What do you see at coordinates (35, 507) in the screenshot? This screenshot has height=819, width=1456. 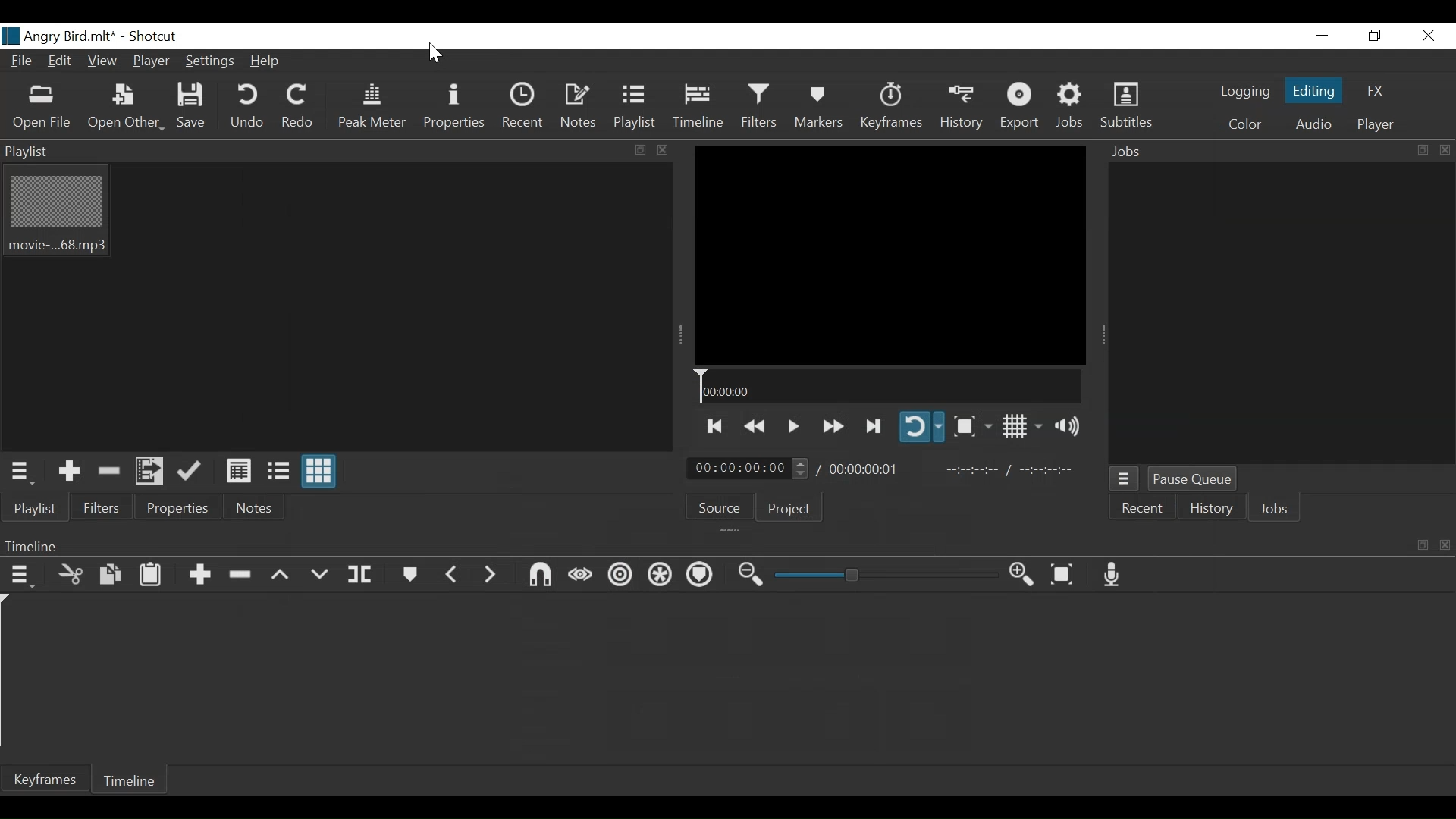 I see `Playlist menu` at bounding box center [35, 507].